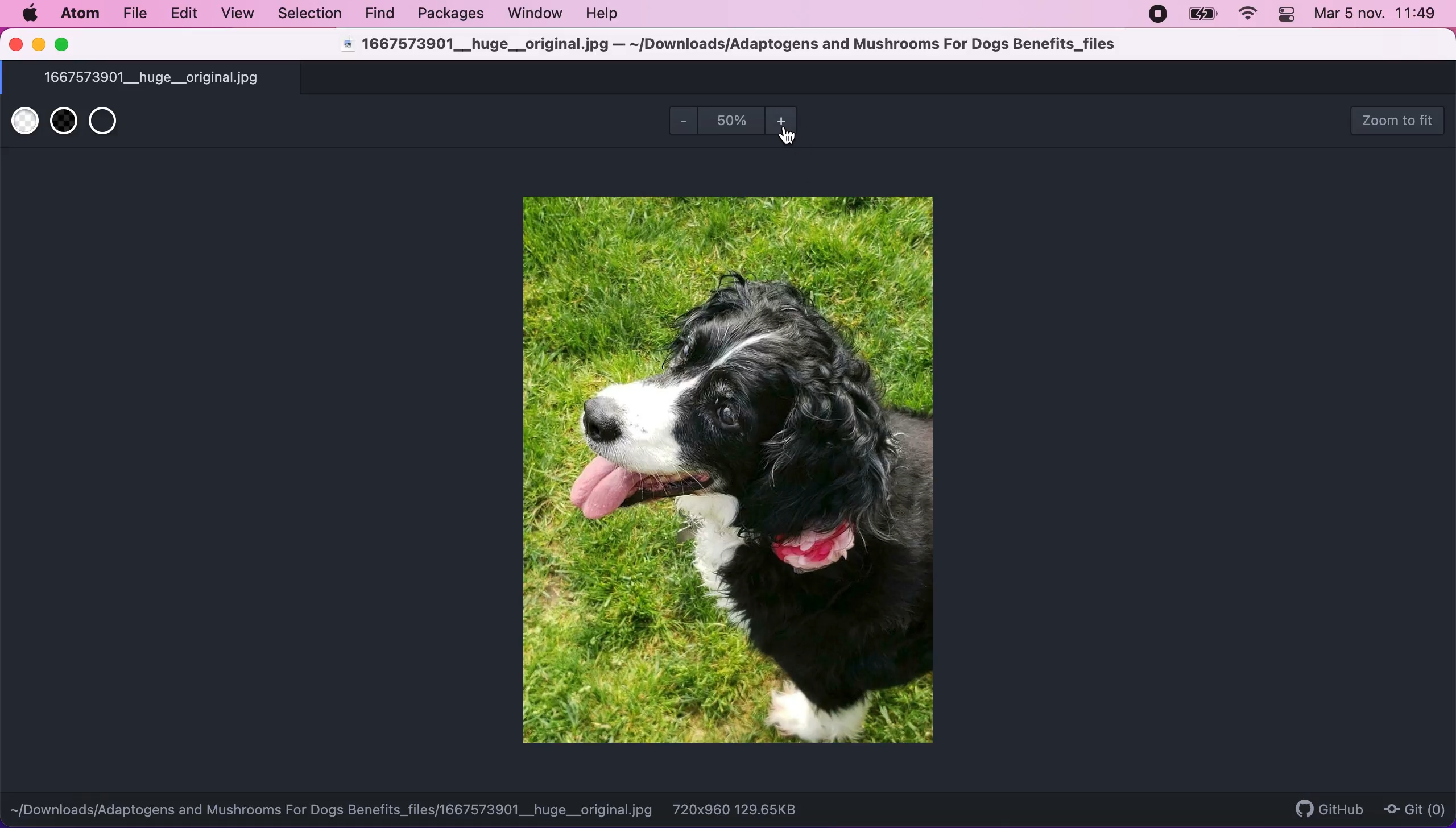  I want to click on maximize, so click(67, 44).